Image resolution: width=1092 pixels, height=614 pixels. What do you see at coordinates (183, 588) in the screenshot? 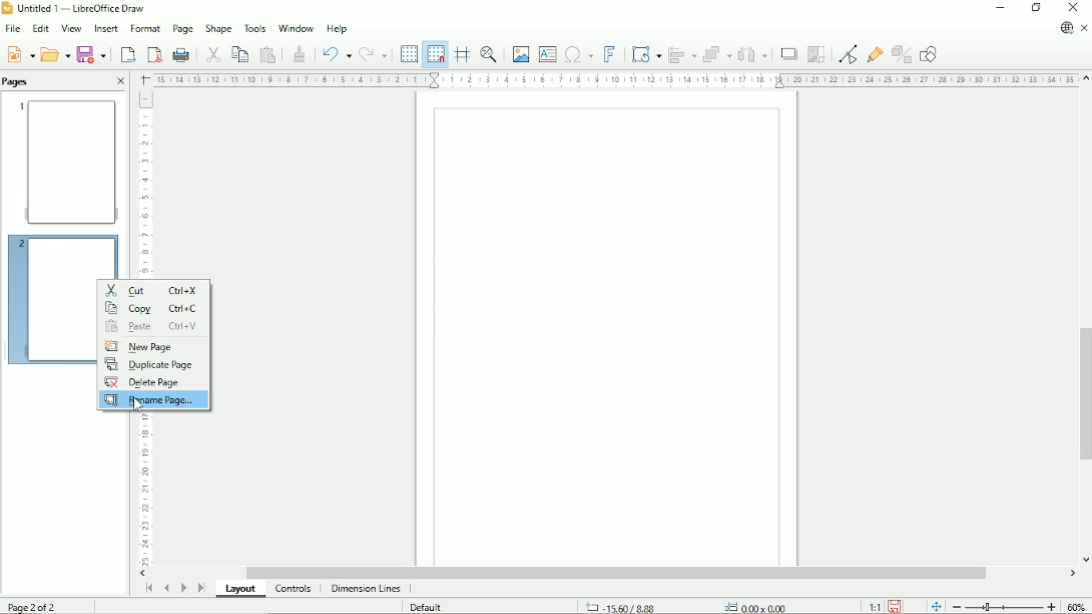
I see `Scroll to next page` at bounding box center [183, 588].